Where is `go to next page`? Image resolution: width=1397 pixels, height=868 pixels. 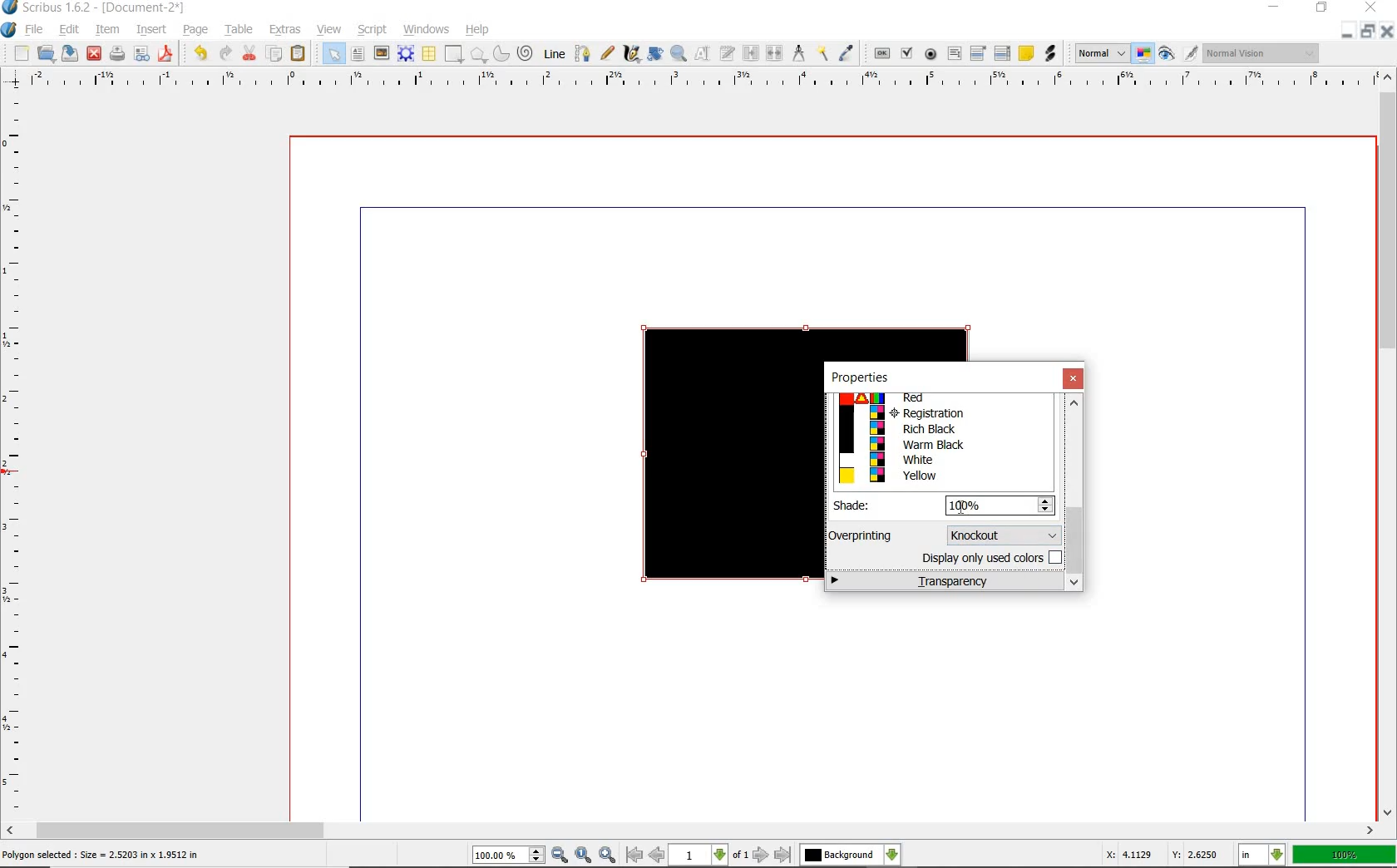 go to next page is located at coordinates (761, 856).